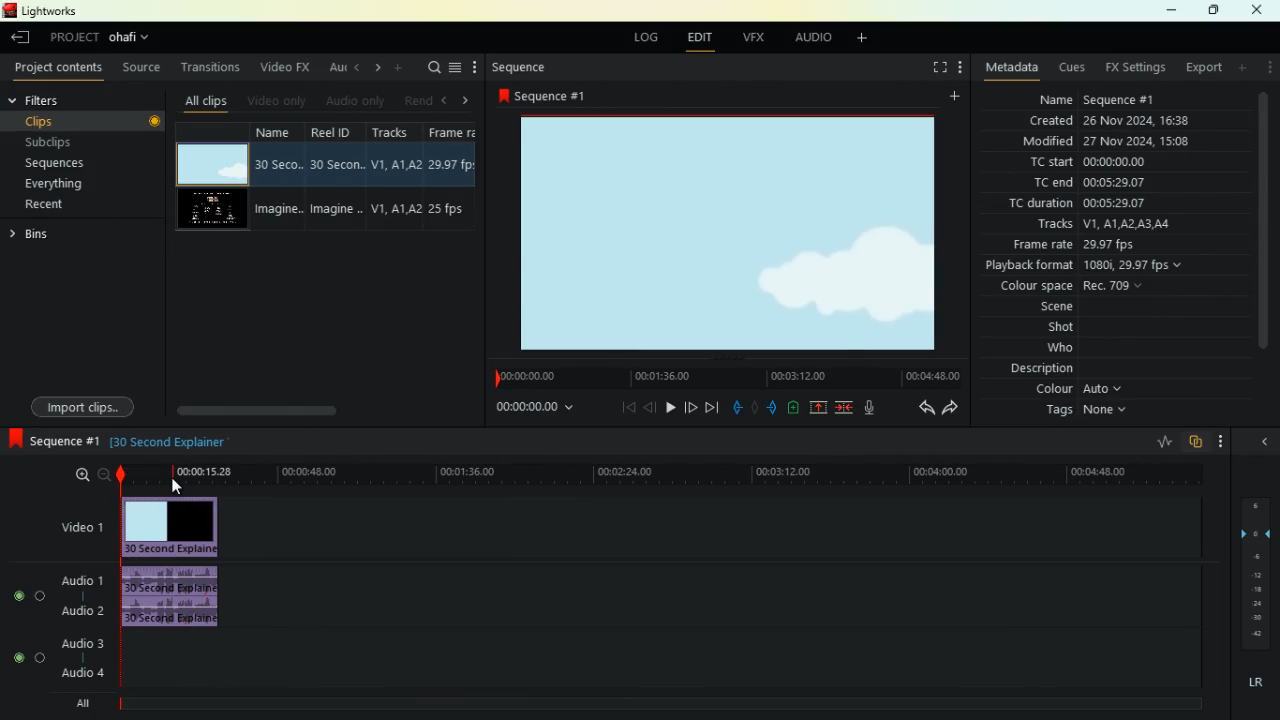  I want to click on back, so click(918, 411).